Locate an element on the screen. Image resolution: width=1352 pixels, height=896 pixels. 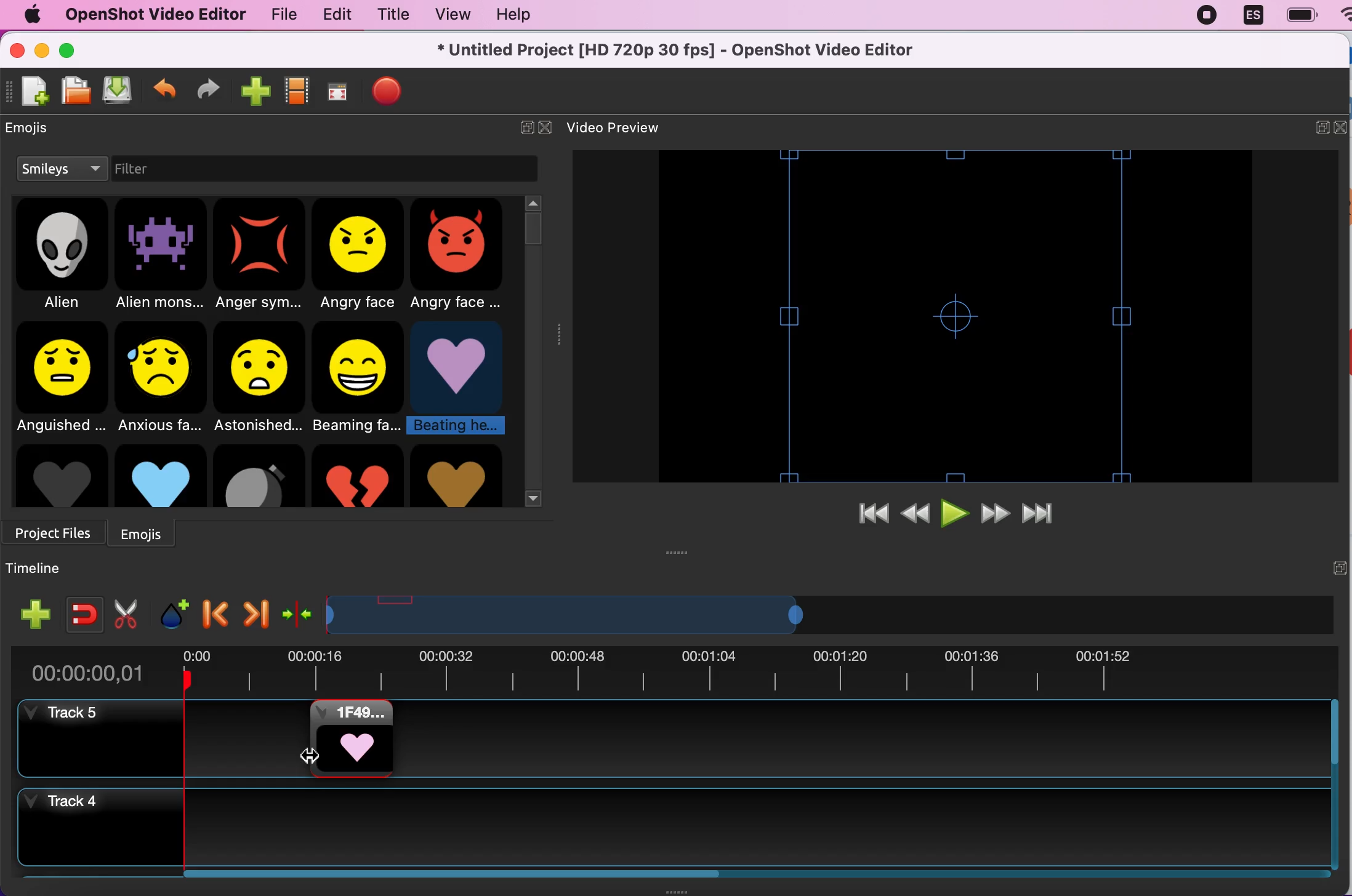
beating heart is located at coordinates (461, 378).